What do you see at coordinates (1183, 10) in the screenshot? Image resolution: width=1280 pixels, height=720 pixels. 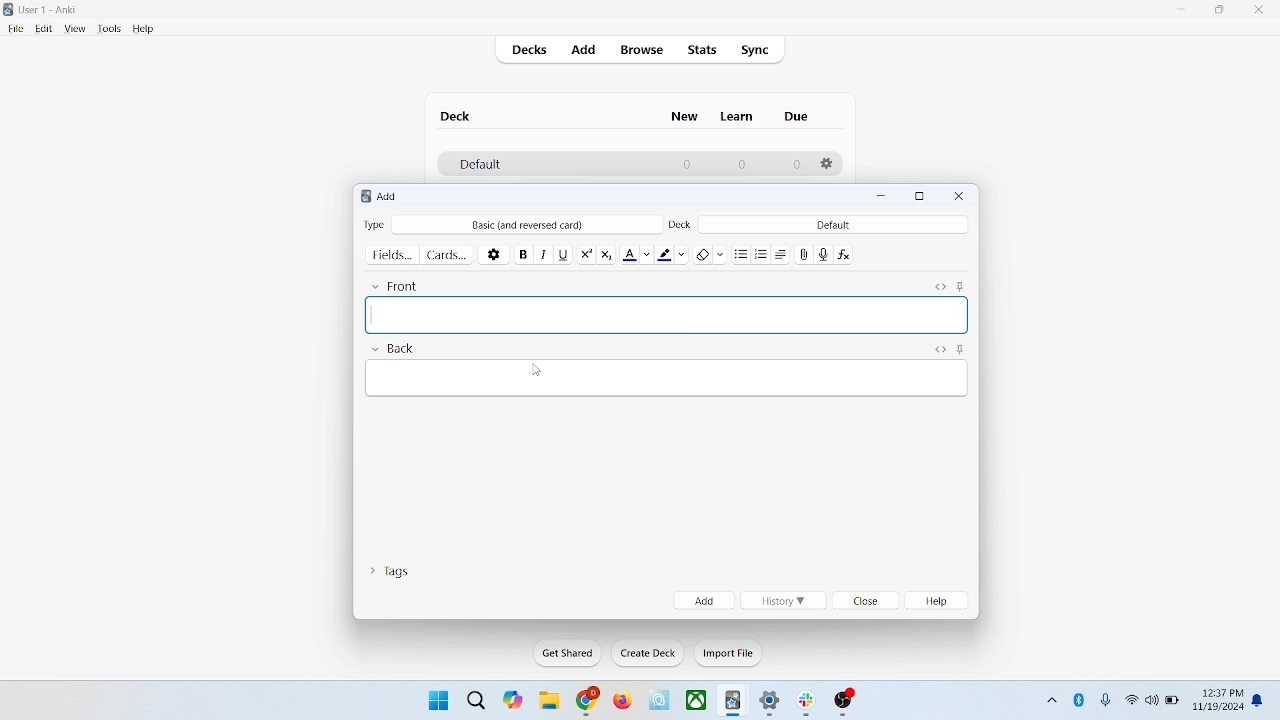 I see `minimize` at bounding box center [1183, 10].